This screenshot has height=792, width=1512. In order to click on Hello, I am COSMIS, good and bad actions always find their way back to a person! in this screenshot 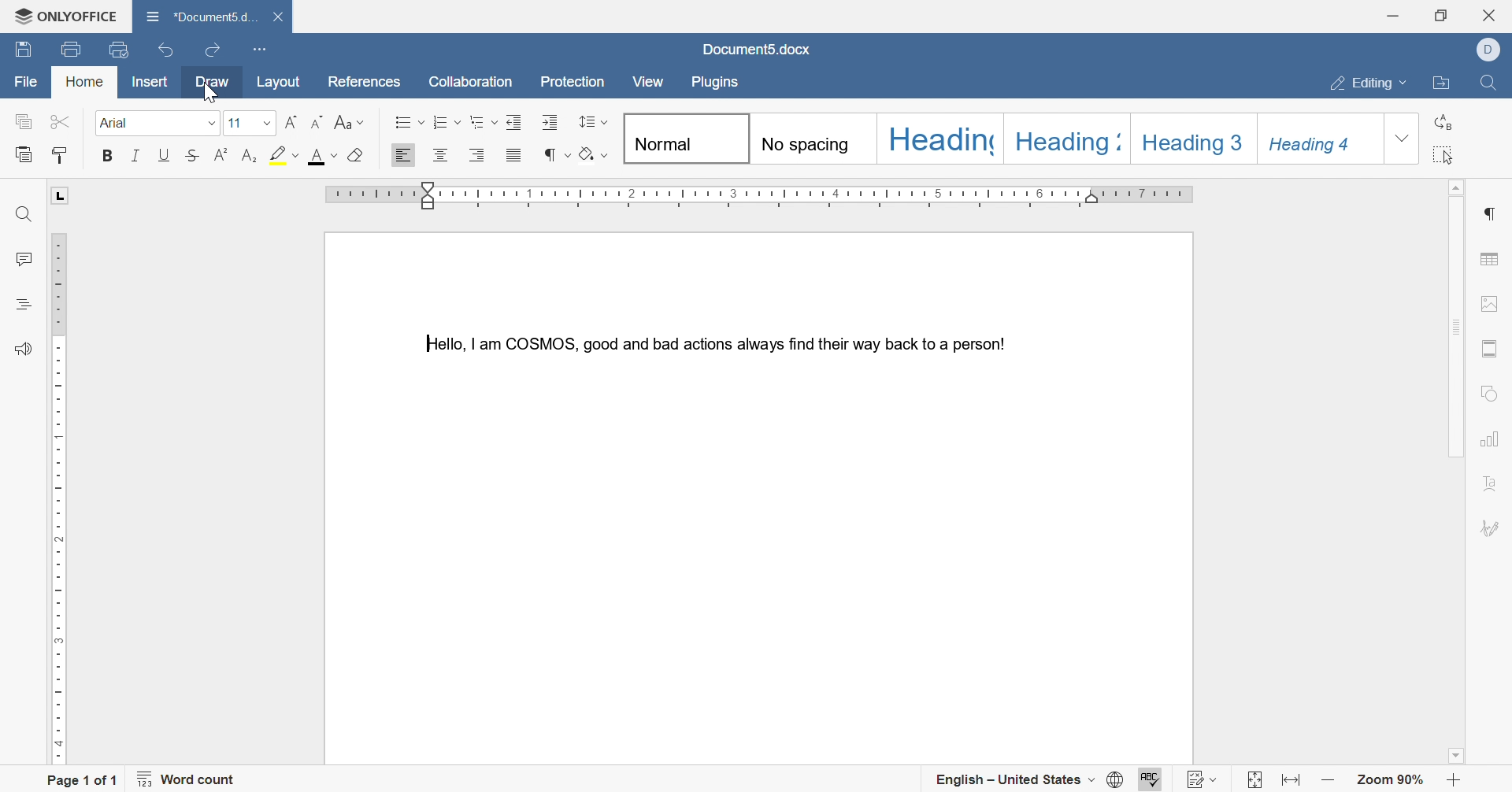, I will do `click(711, 341)`.